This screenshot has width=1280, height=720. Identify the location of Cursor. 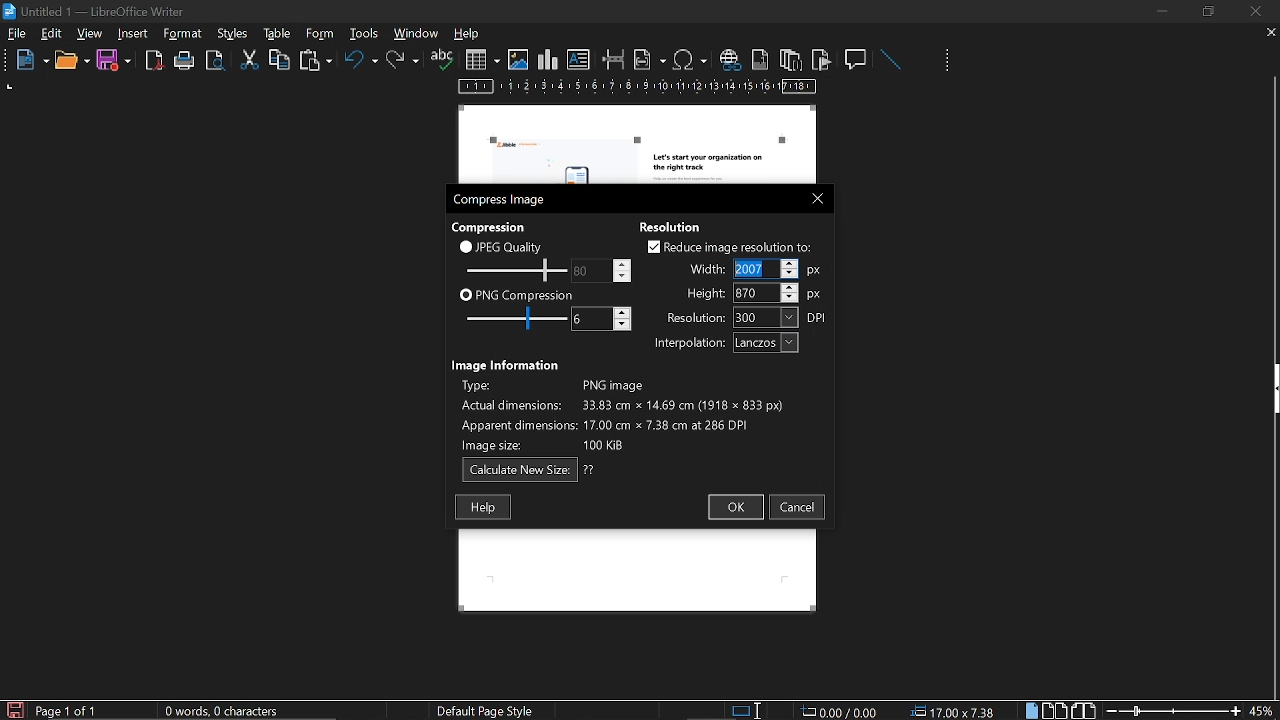
(733, 268).